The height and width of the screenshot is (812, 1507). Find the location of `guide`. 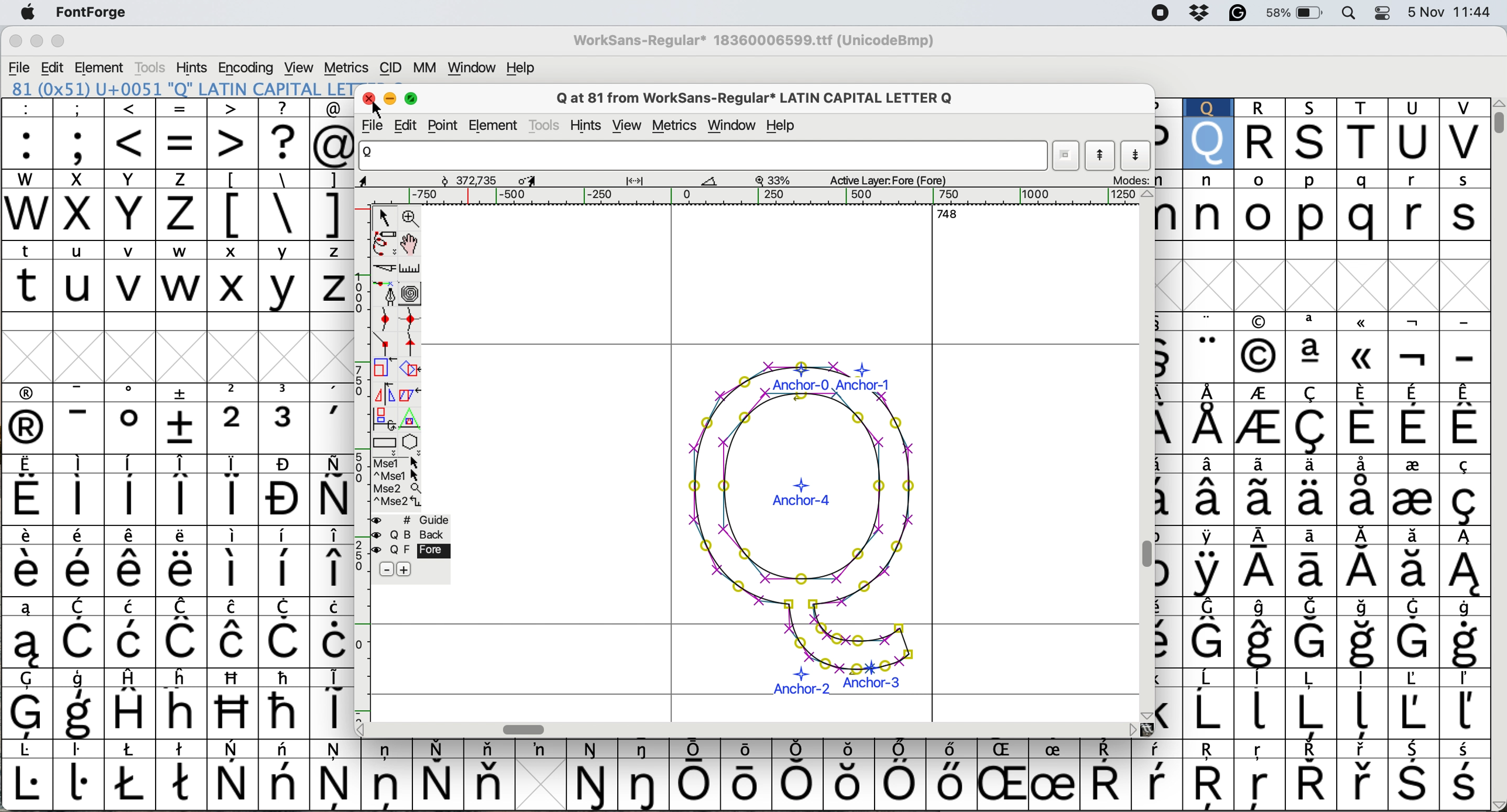

guide is located at coordinates (412, 521).